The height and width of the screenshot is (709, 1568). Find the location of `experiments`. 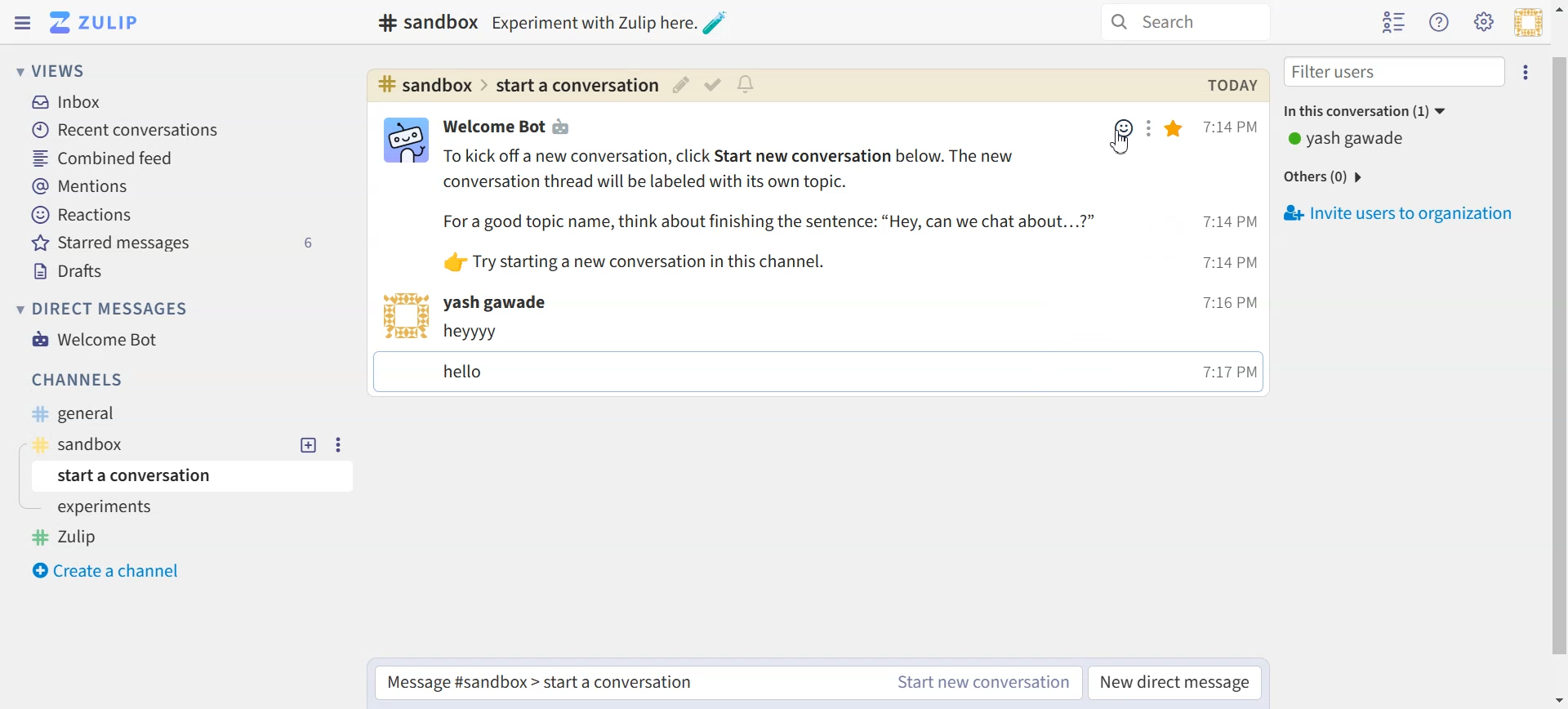

experiments is located at coordinates (109, 509).